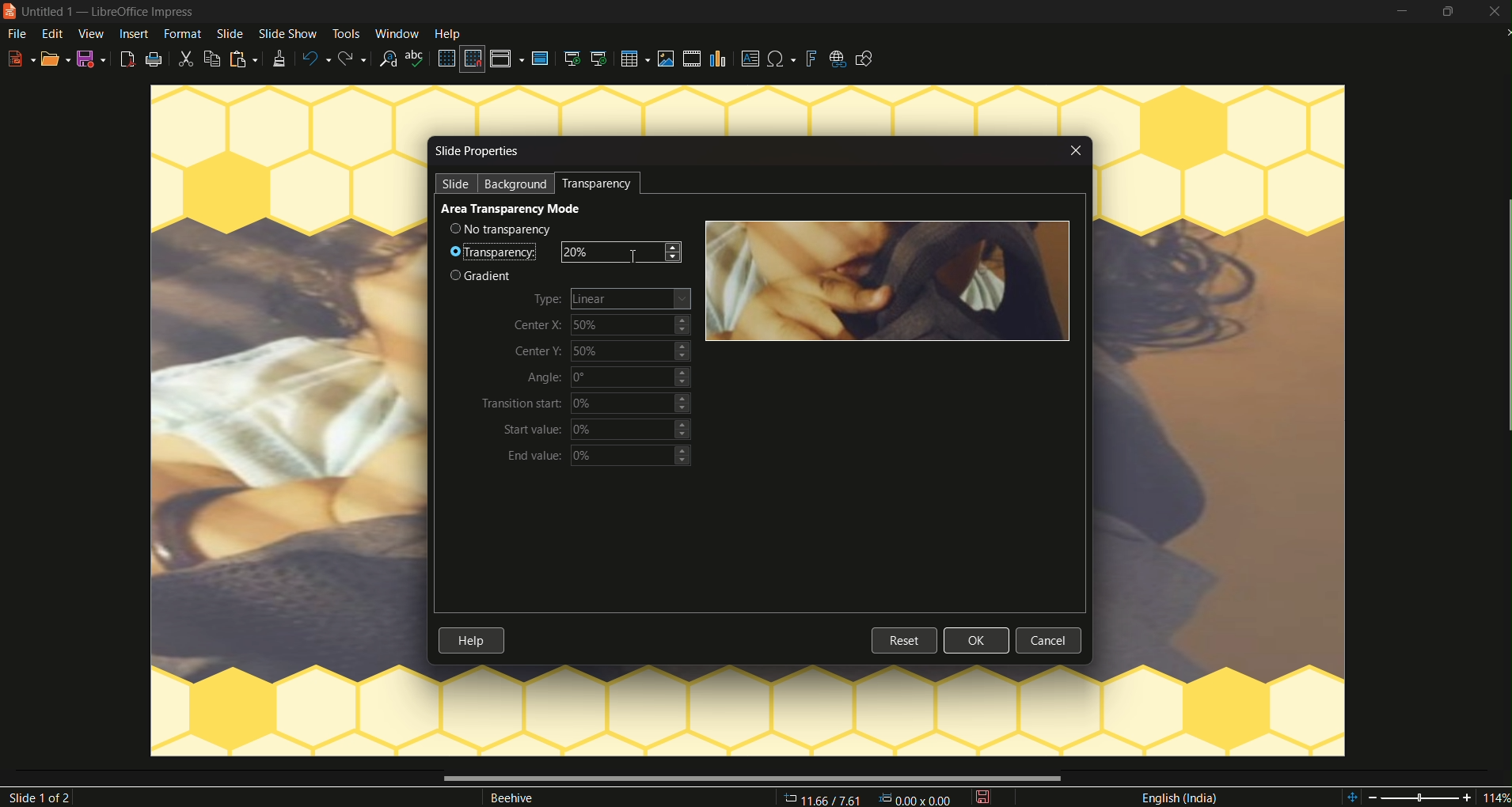  I want to click on master slide, so click(543, 59).